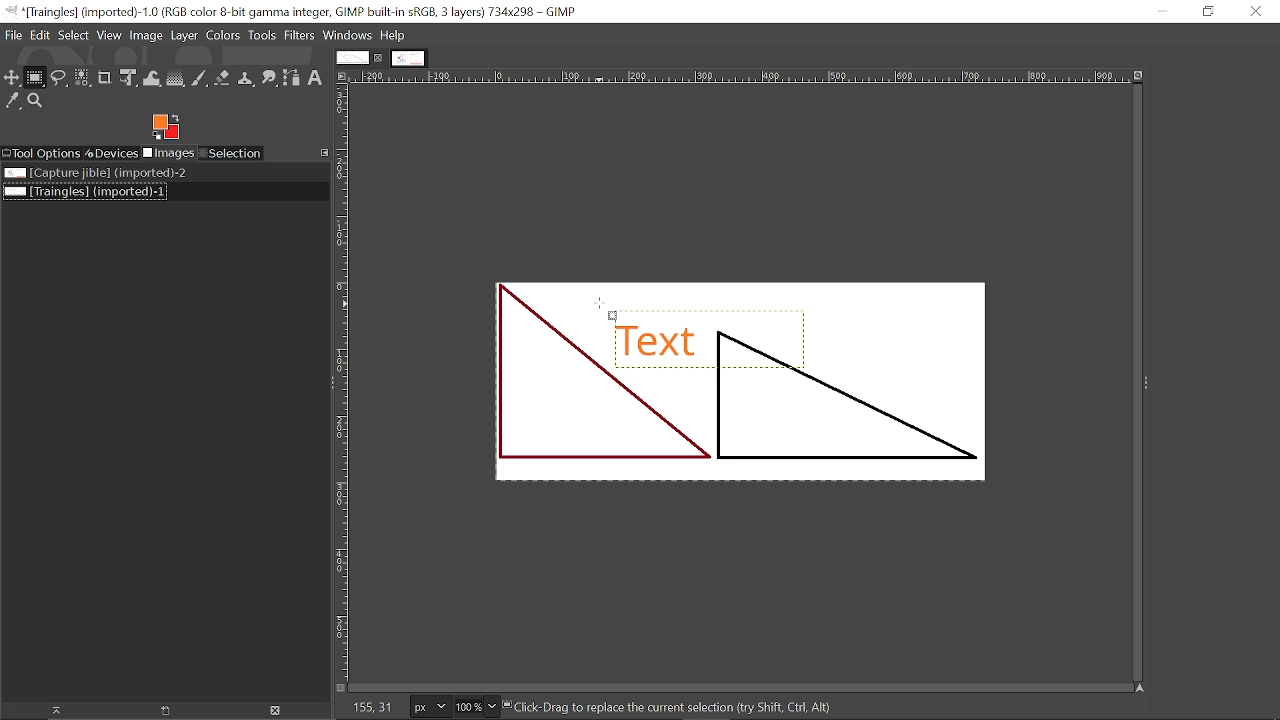 Image resolution: width=1280 pixels, height=720 pixels. I want to click on Filters, so click(300, 36).